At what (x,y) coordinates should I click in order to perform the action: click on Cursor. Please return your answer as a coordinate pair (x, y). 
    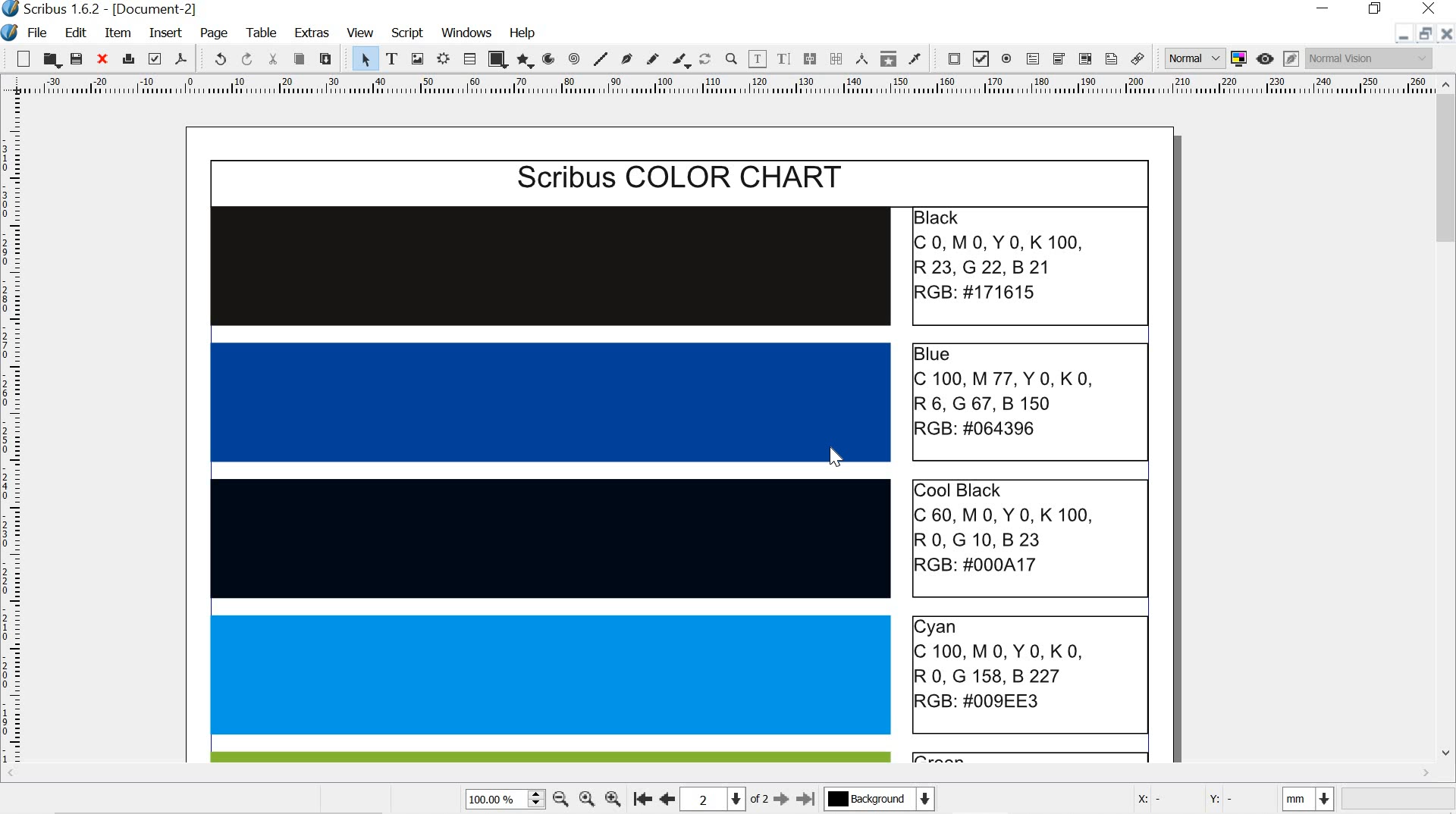
    Looking at the image, I should click on (836, 456).